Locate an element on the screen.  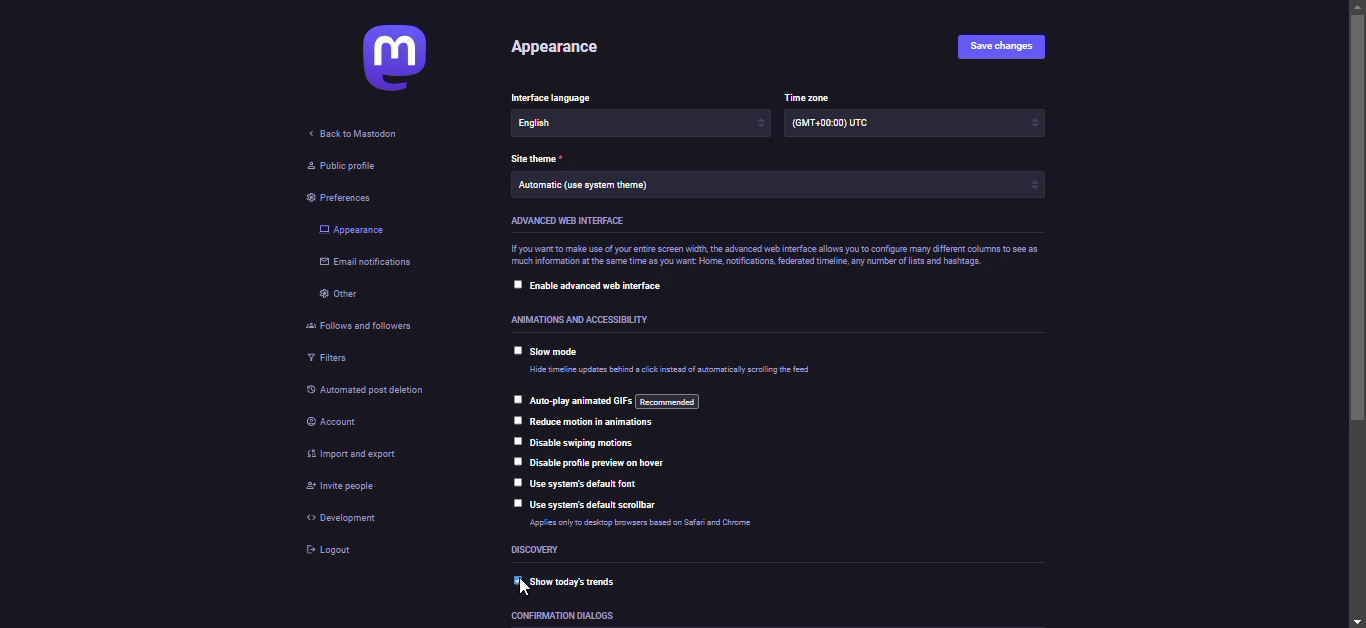
email notifications is located at coordinates (369, 263).